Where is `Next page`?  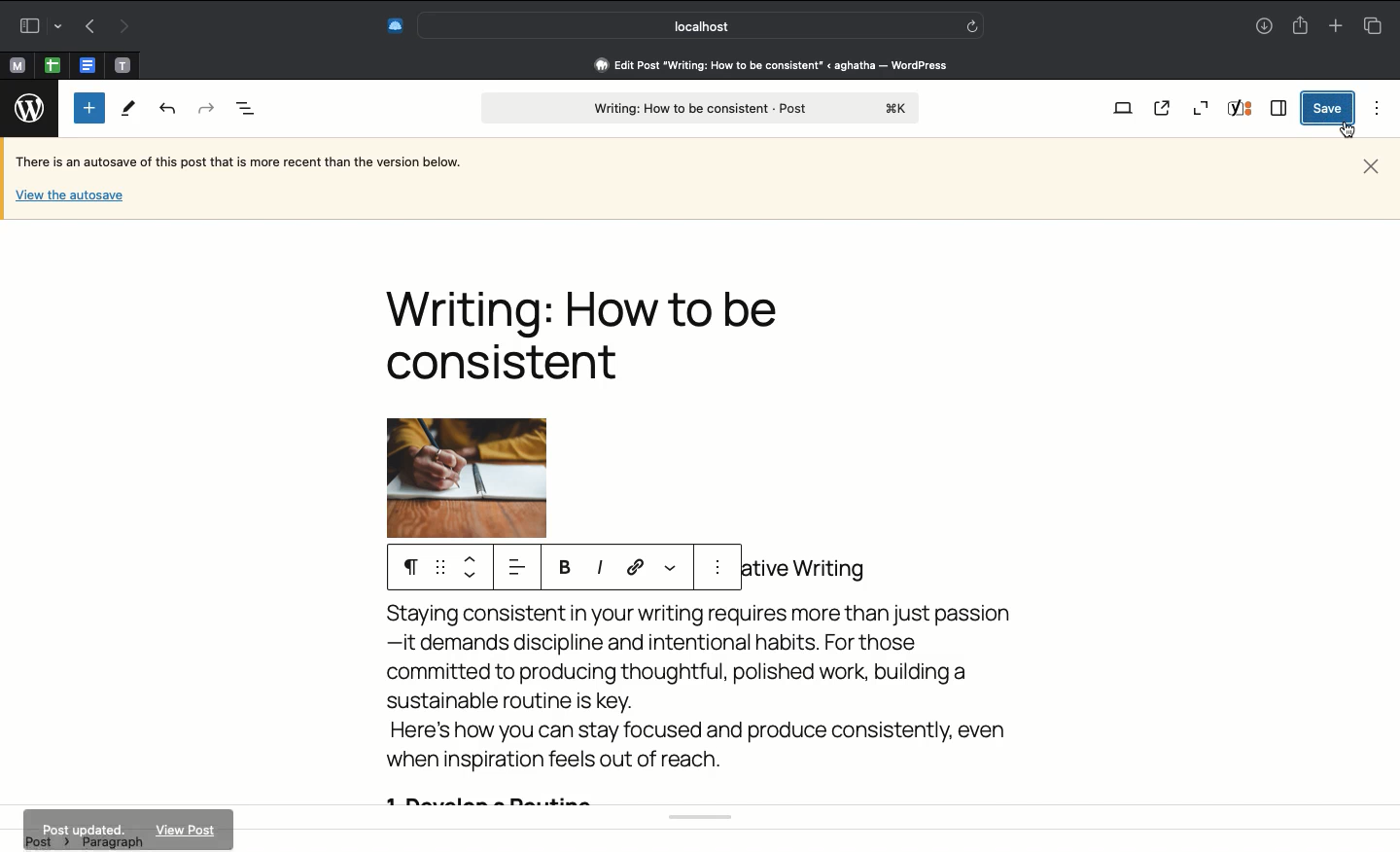 Next page is located at coordinates (126, 25).